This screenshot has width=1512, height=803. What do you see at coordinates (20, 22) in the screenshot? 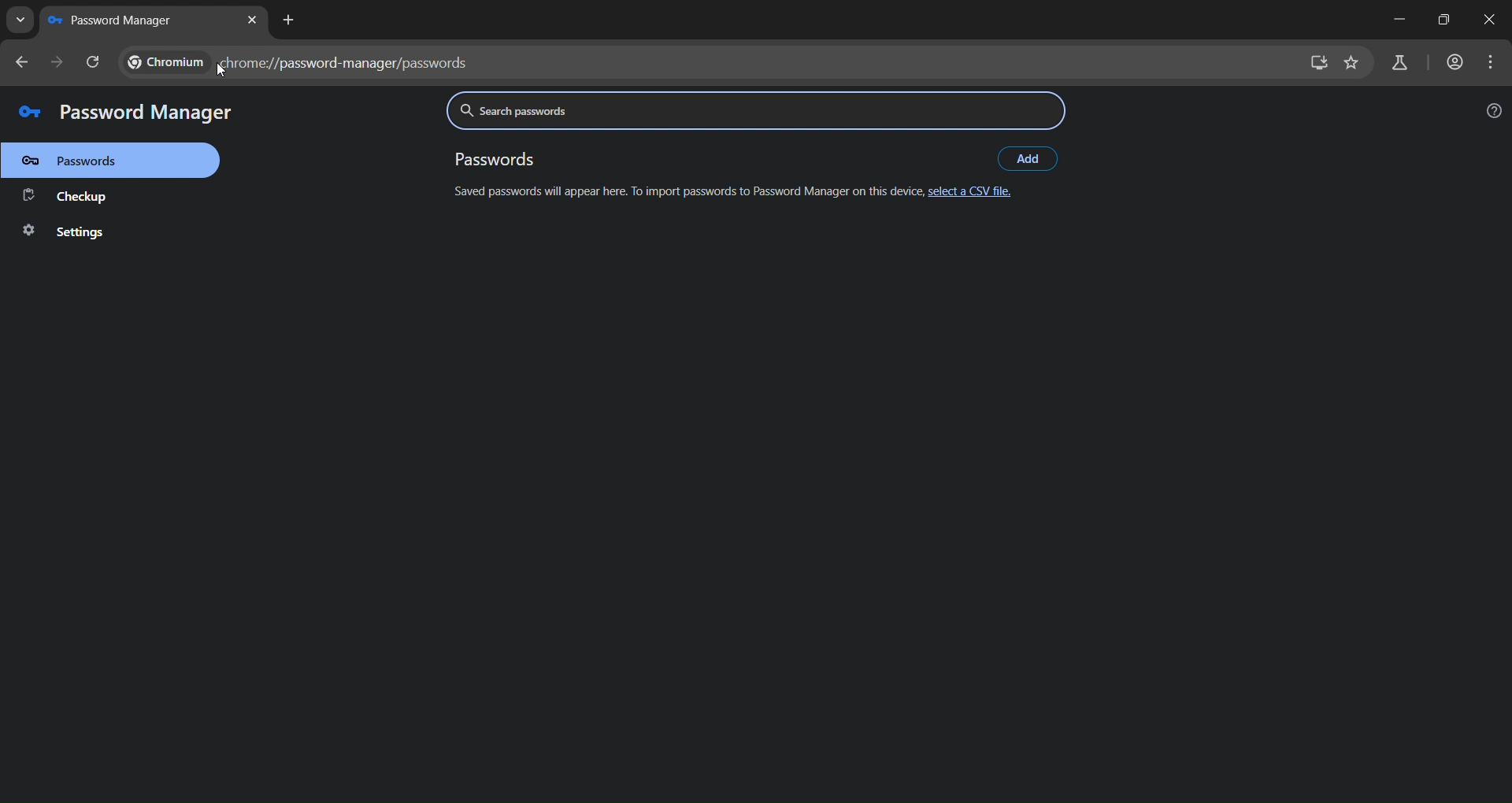
I see `search tabs` at bounding box center [20, 22].